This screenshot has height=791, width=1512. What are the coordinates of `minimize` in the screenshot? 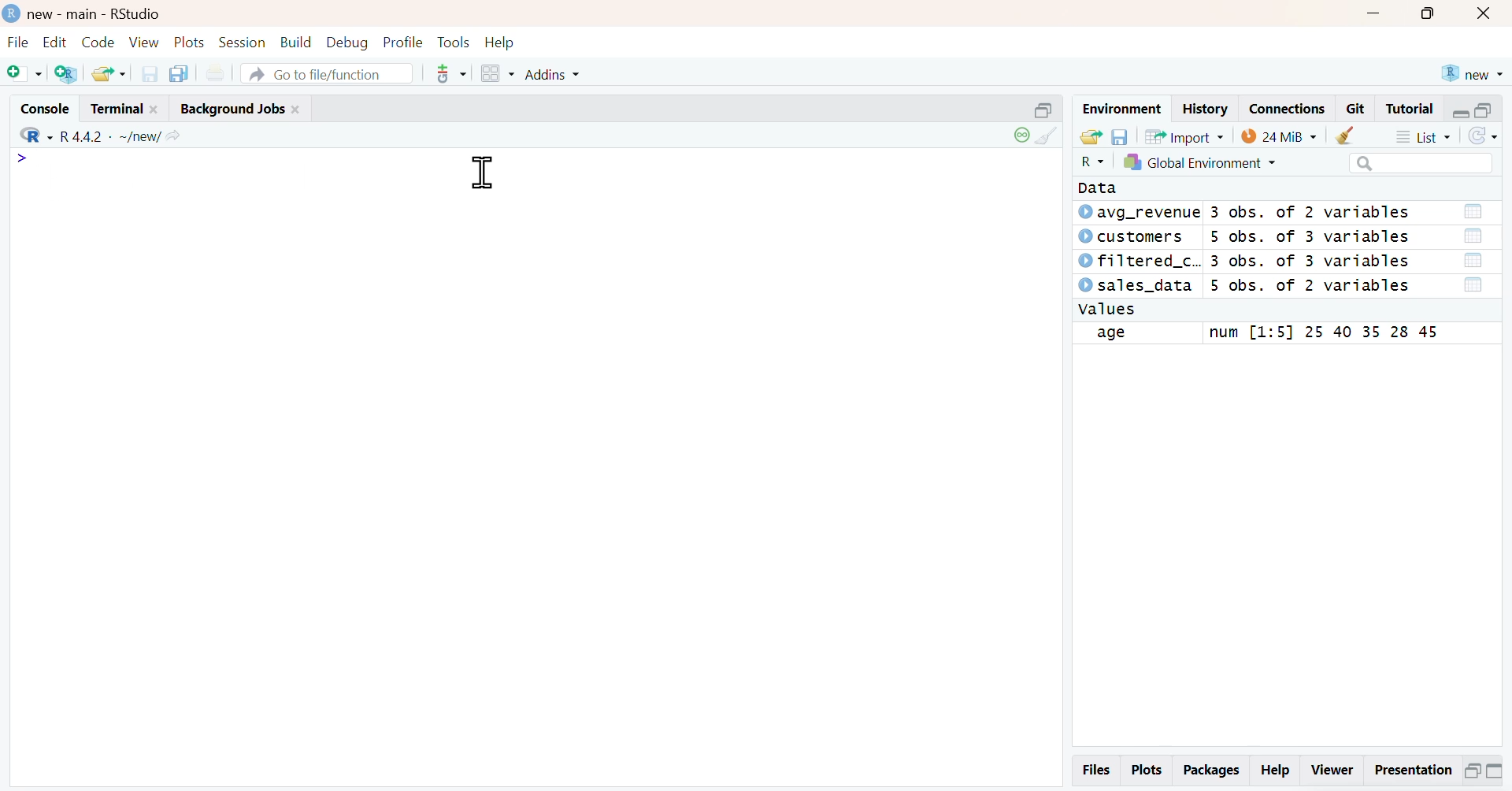 It's located at (1373, 14).